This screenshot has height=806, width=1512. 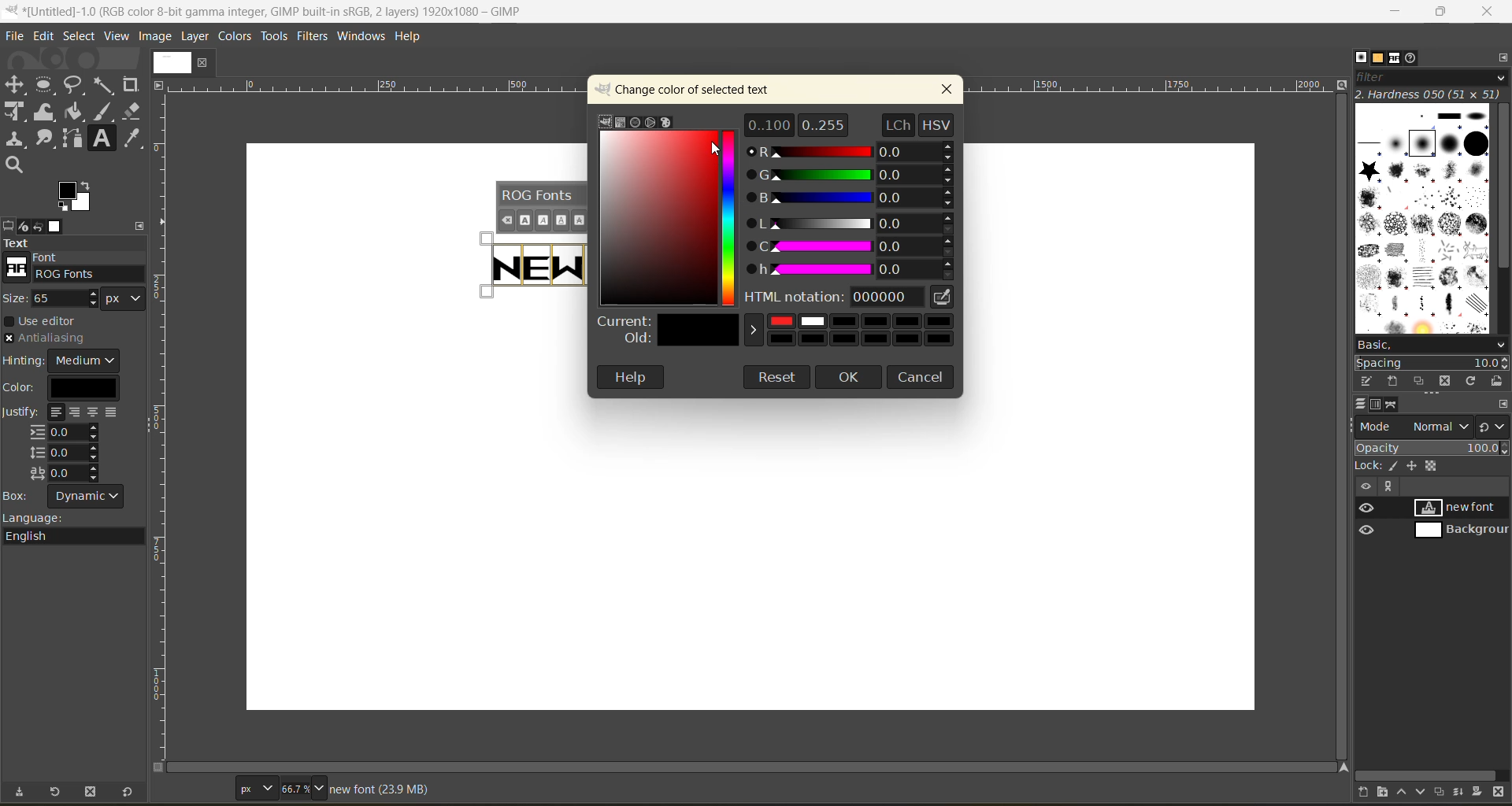 I want to click on old color schemes, so click(x=776, y=339).